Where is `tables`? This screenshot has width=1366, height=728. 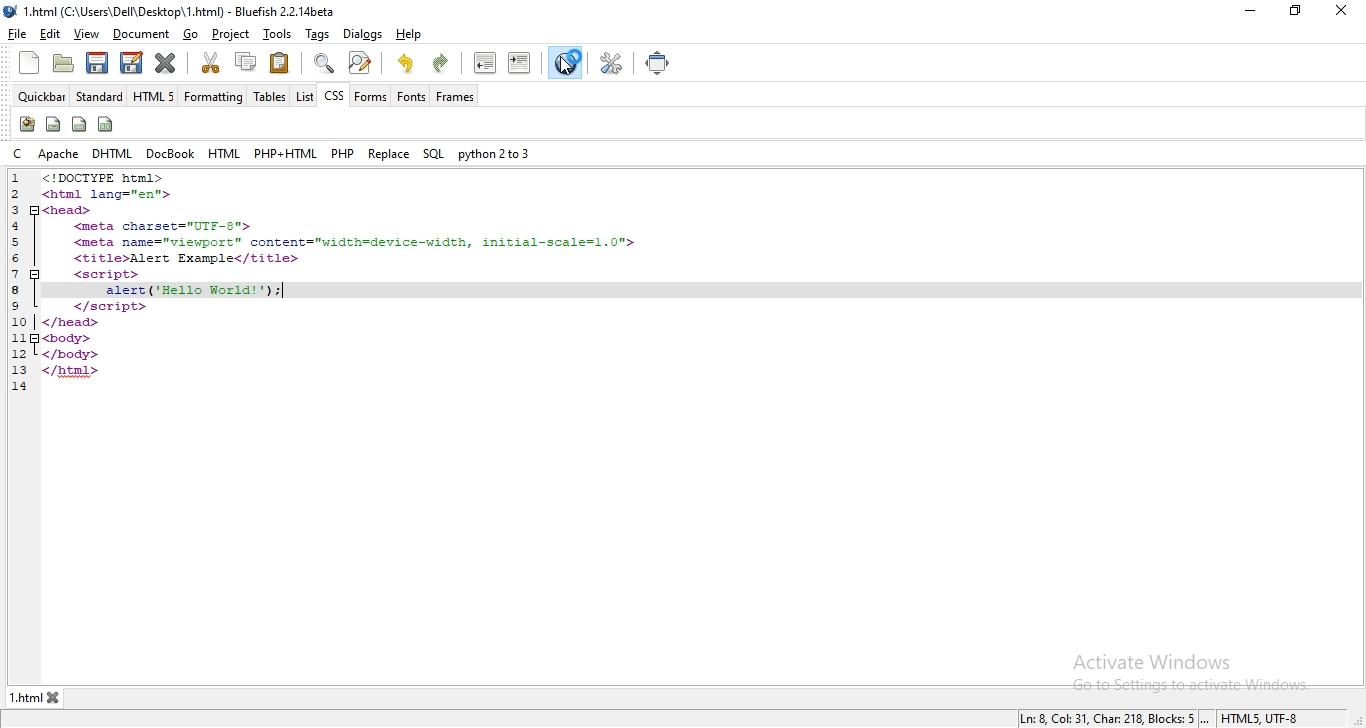 tables is located at coordinates (266, 97).